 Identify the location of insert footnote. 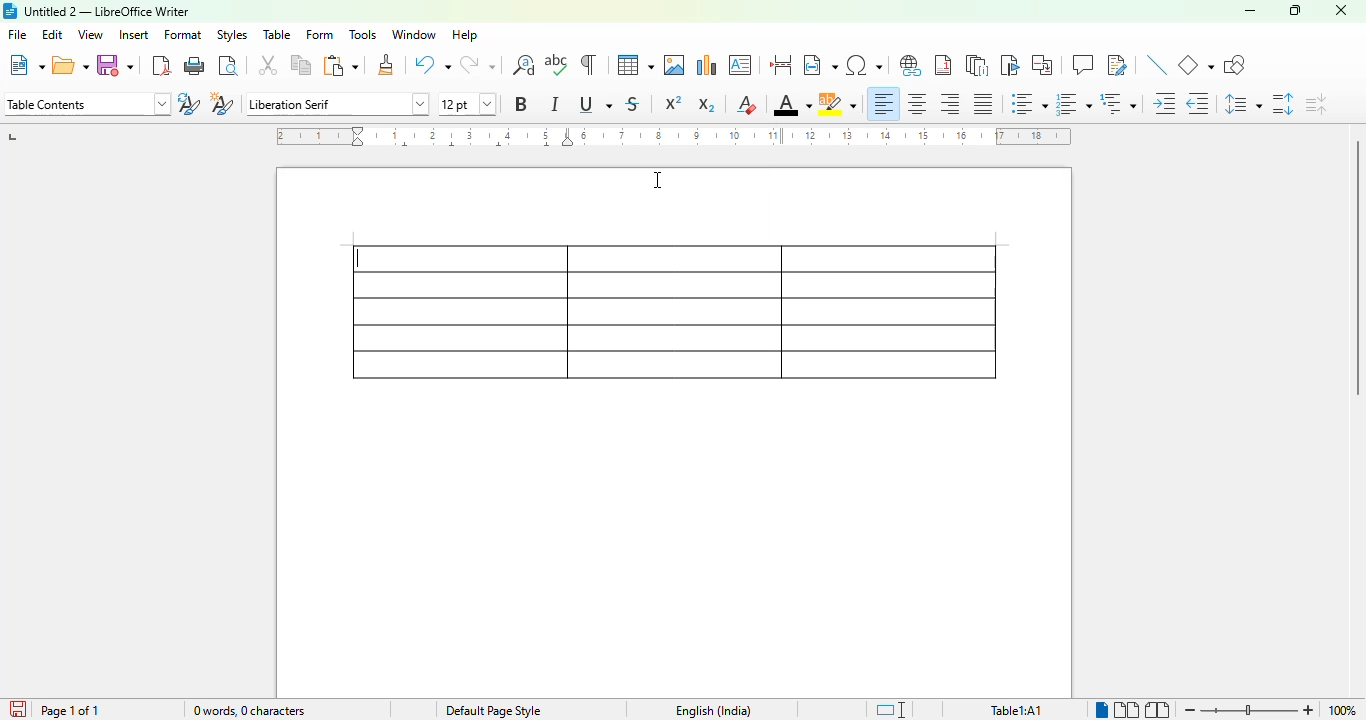
(943, 64).